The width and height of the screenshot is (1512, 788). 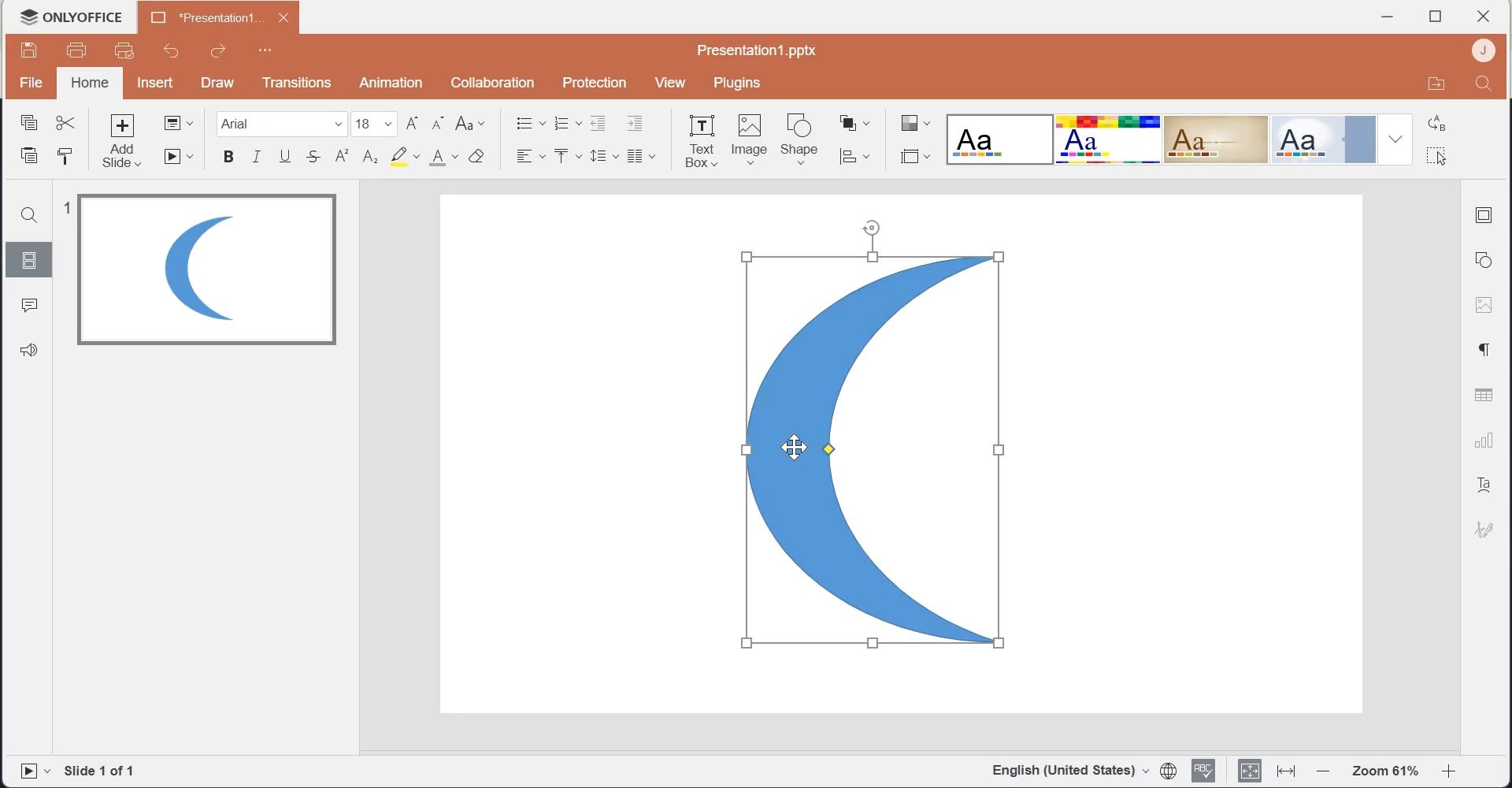 I want to click on Comments, so click(x=27, y=303).